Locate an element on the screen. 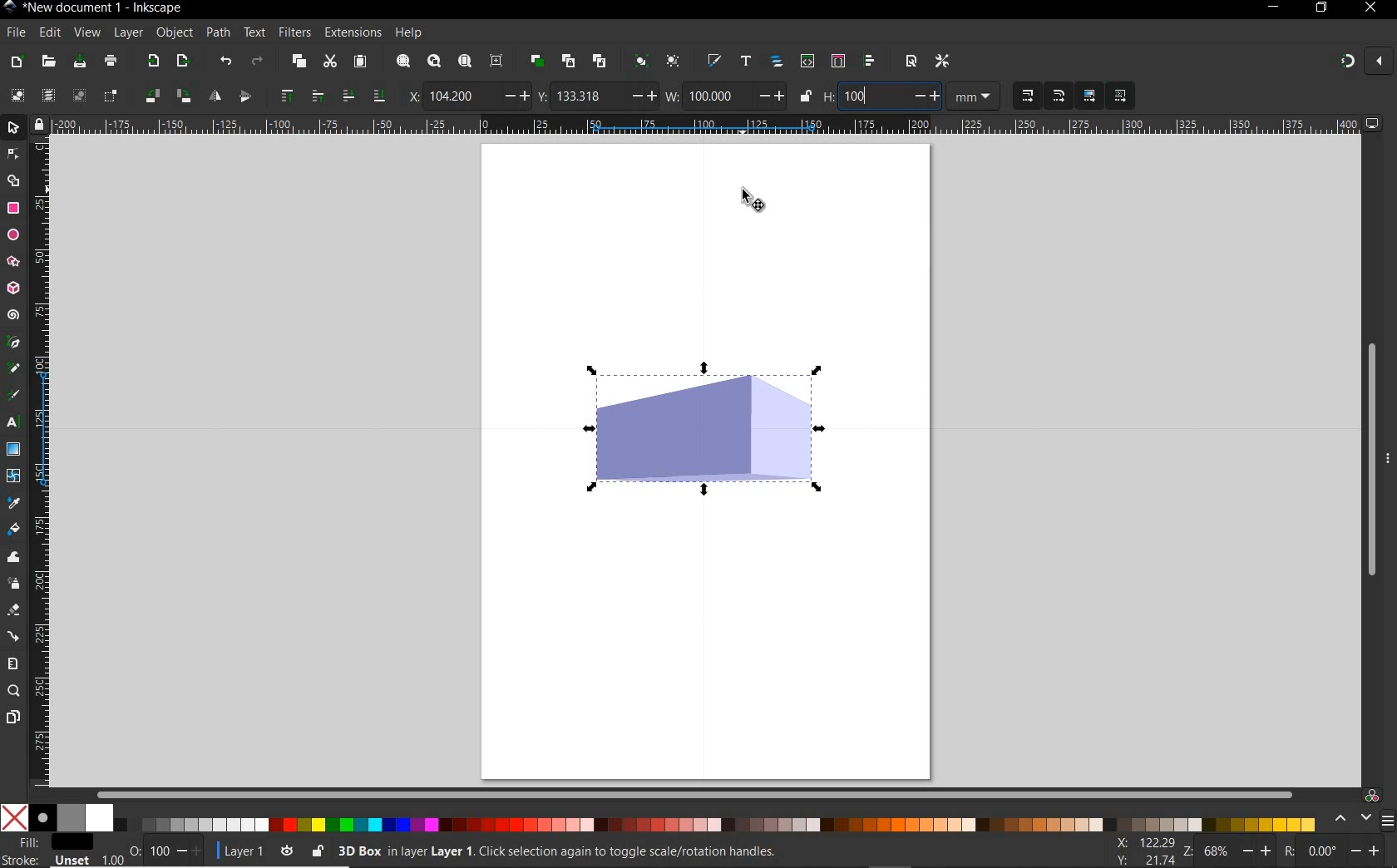 The width and height of the screenshot is (1397, 868). measurement is located at coordinates (975, 97).